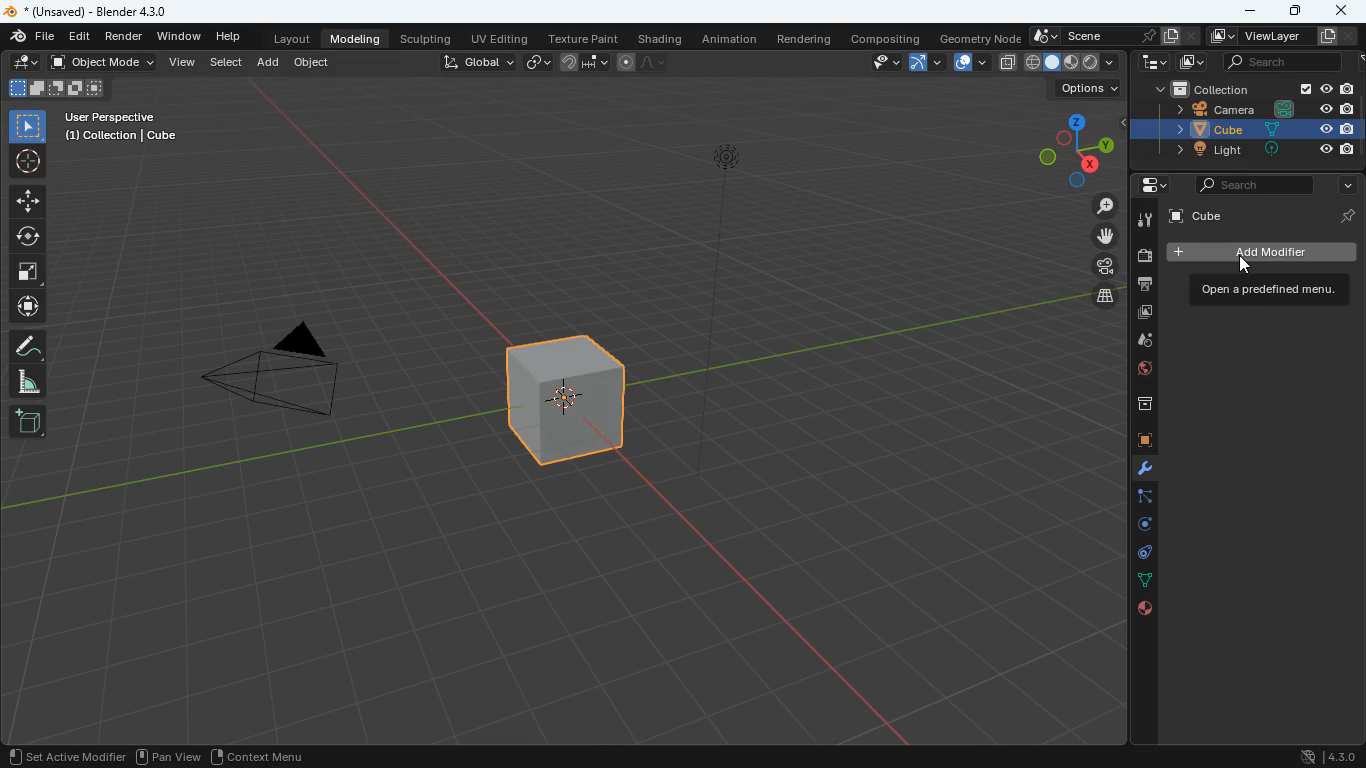  What do you see at coordinates (31, 124) in the screenshot?
I see `select` at bounding box center [31, 124].